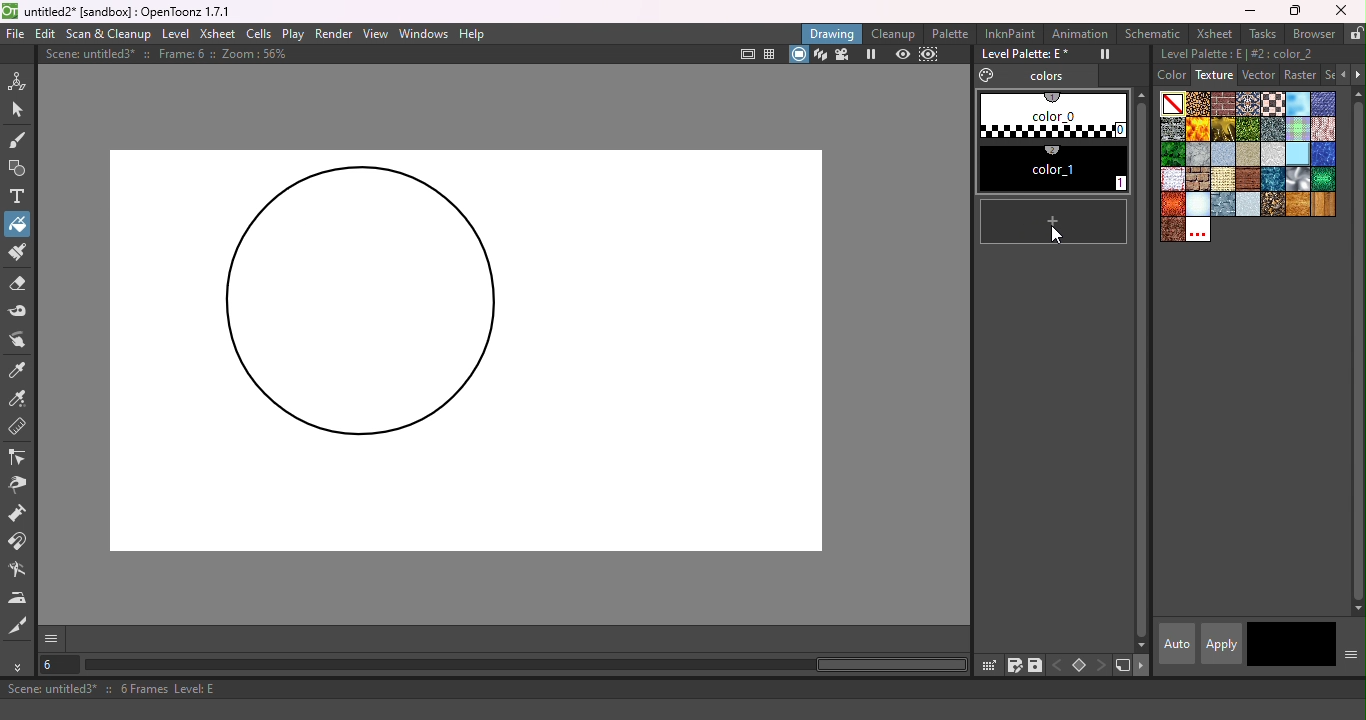  Describe the element at coordinates (21, 339) in the screenshot. I see `Finger tool` at that location.